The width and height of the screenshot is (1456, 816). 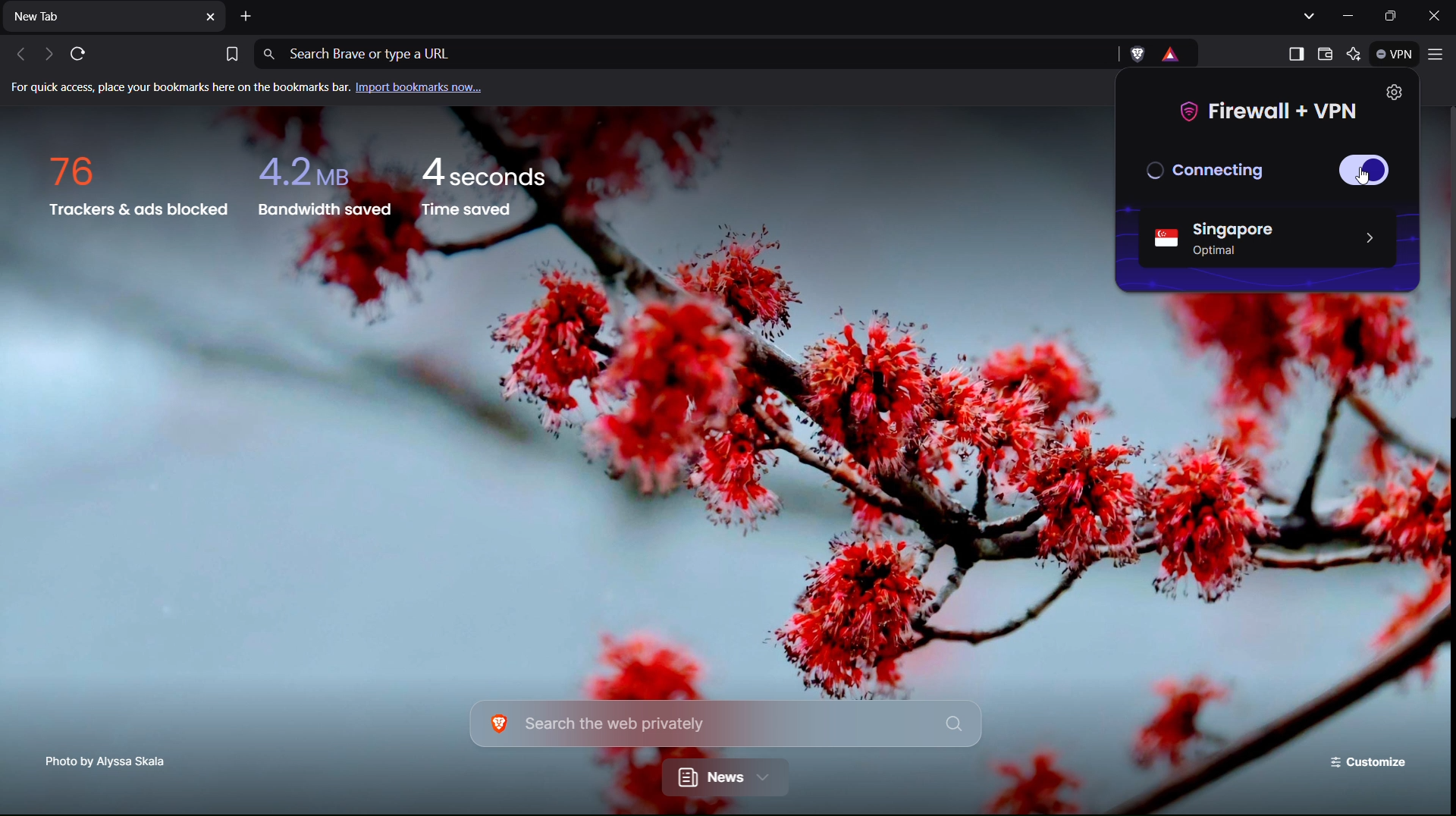 What do you see at coordinates (1437, 57) in the screenshot?
I see `Application Menu` at bounding box center [1437, 57].